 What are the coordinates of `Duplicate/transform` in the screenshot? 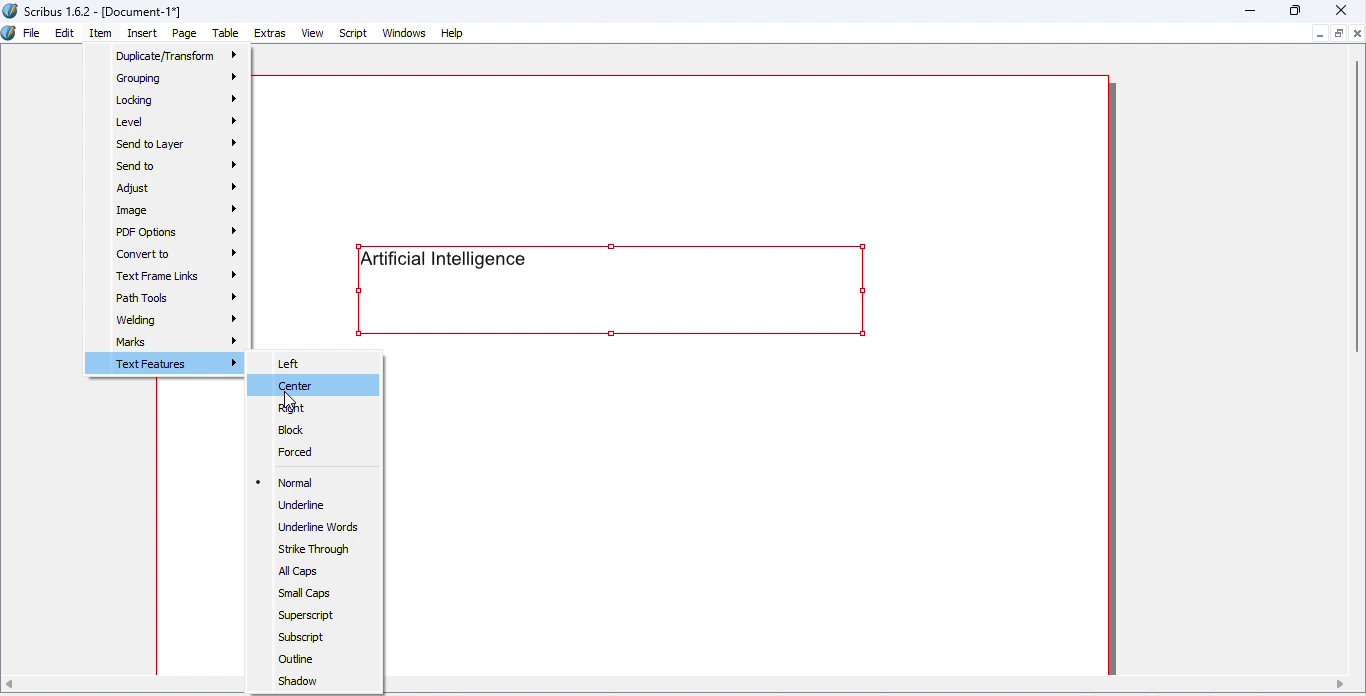 It's located at (180, 56).